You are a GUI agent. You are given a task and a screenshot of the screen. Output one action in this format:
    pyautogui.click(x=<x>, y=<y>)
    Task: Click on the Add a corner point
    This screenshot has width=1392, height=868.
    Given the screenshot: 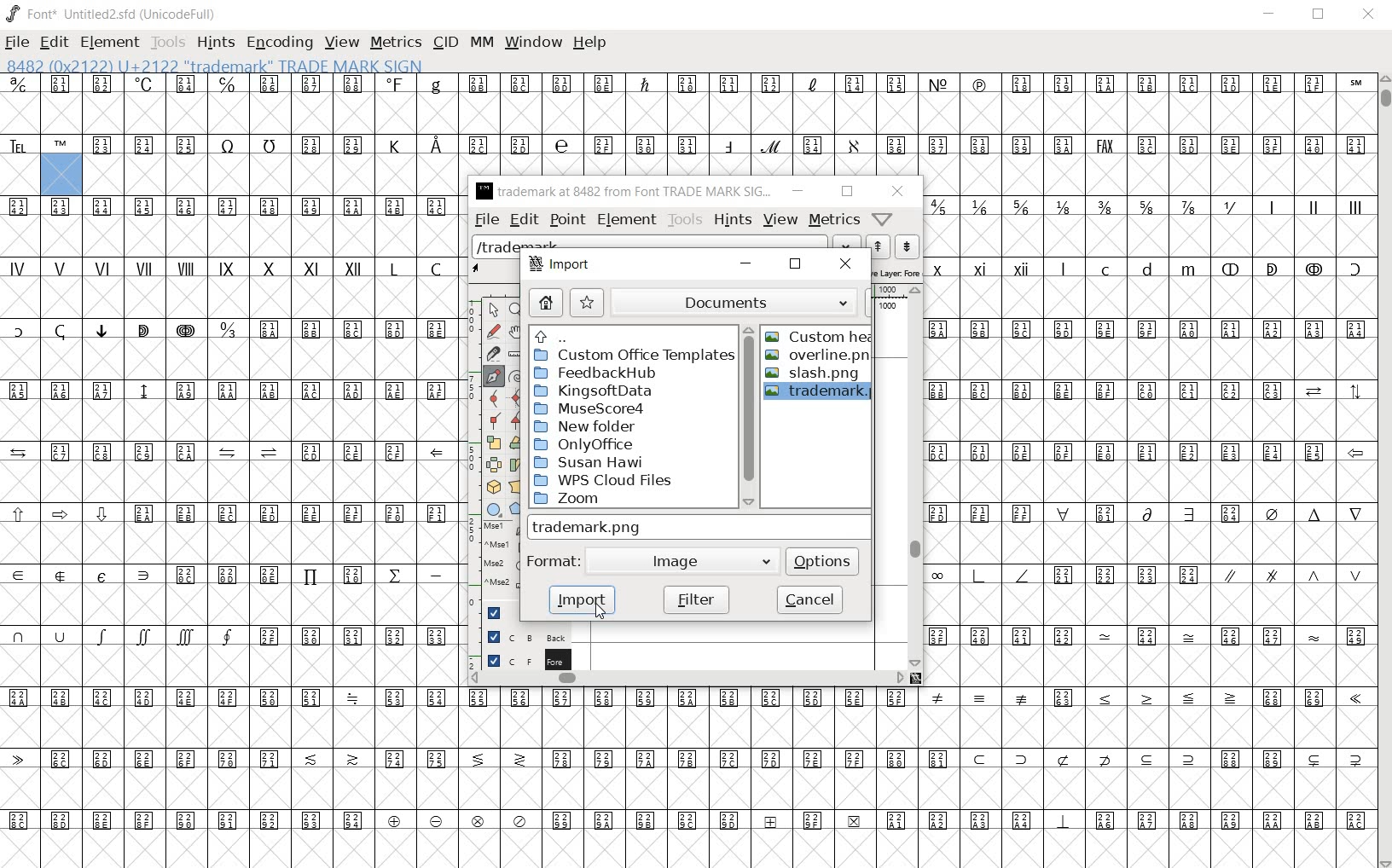 What is the action you would take?
    pyautogui.click(x=515, y=420)
    